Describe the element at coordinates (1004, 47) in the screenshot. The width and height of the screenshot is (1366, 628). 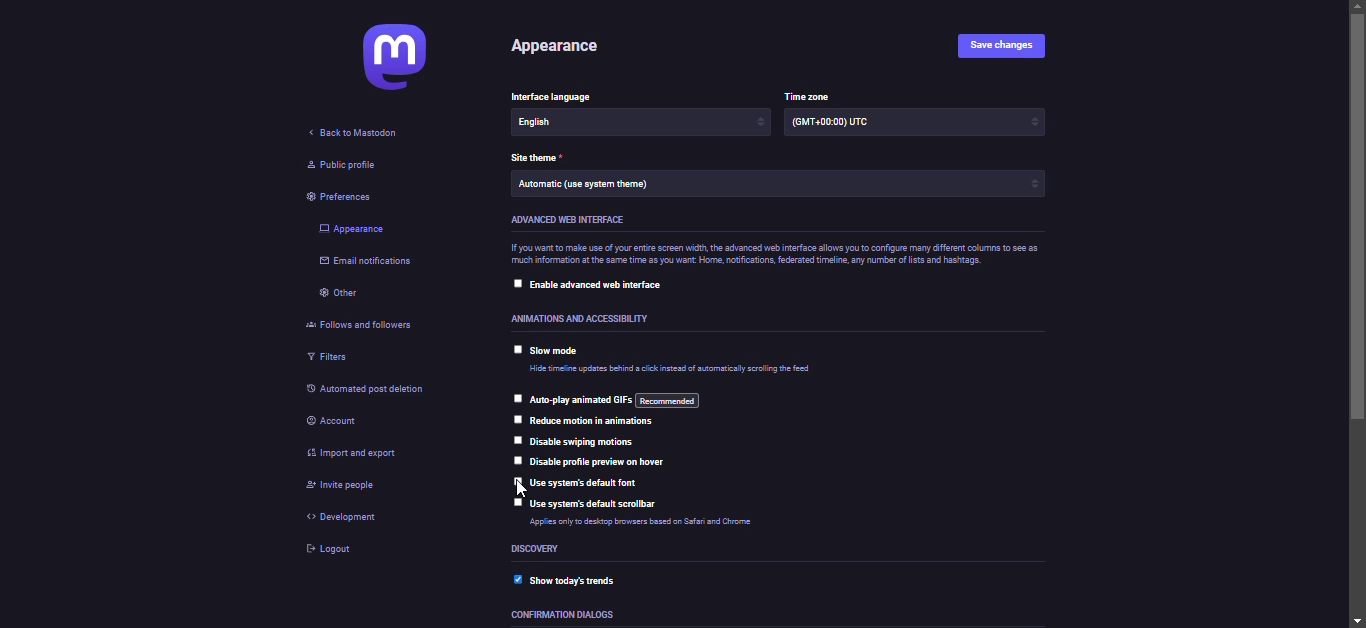
I see `save changes` at that location.